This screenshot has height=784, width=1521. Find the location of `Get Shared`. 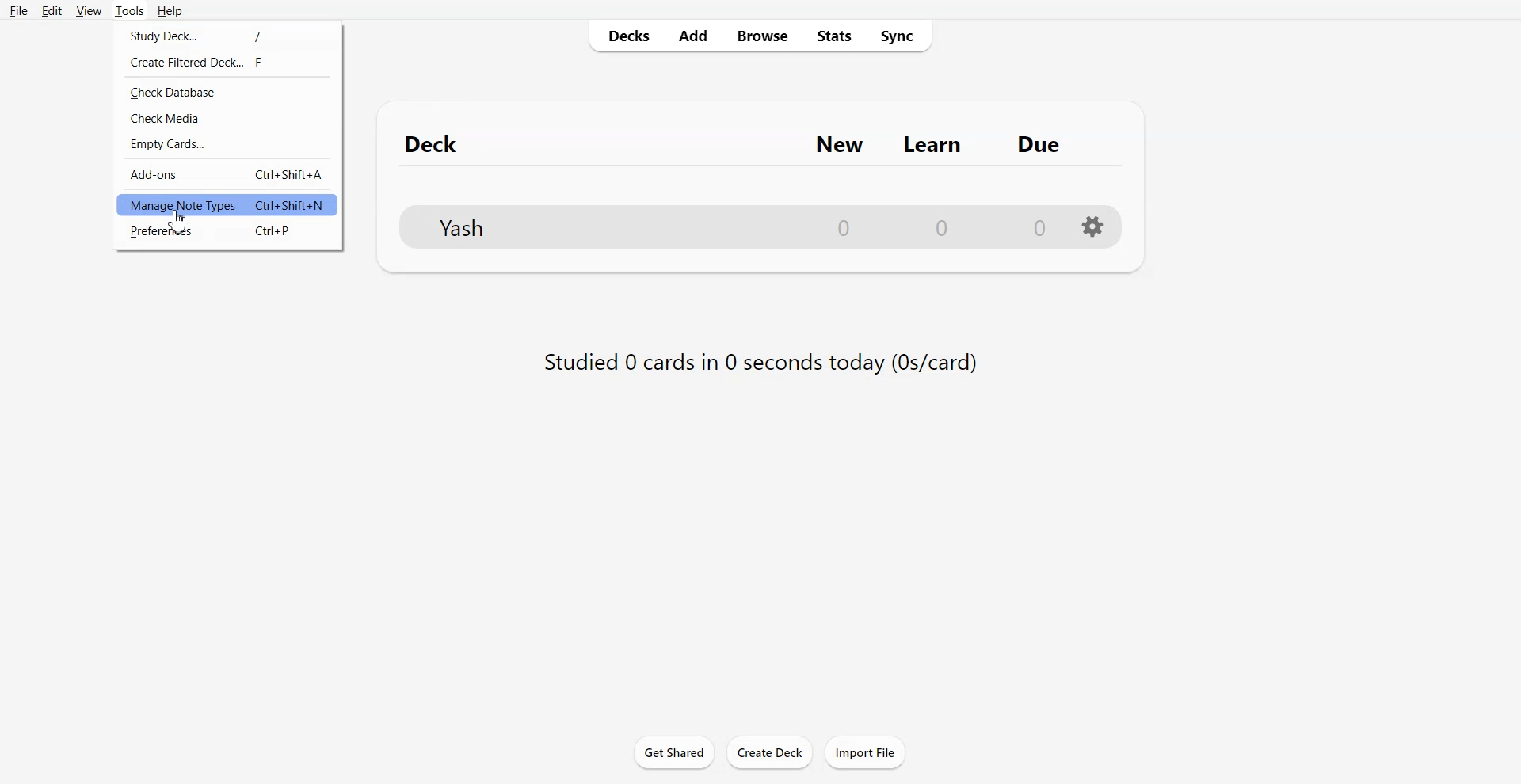

Get Shared is located at coordinates (674, 752).